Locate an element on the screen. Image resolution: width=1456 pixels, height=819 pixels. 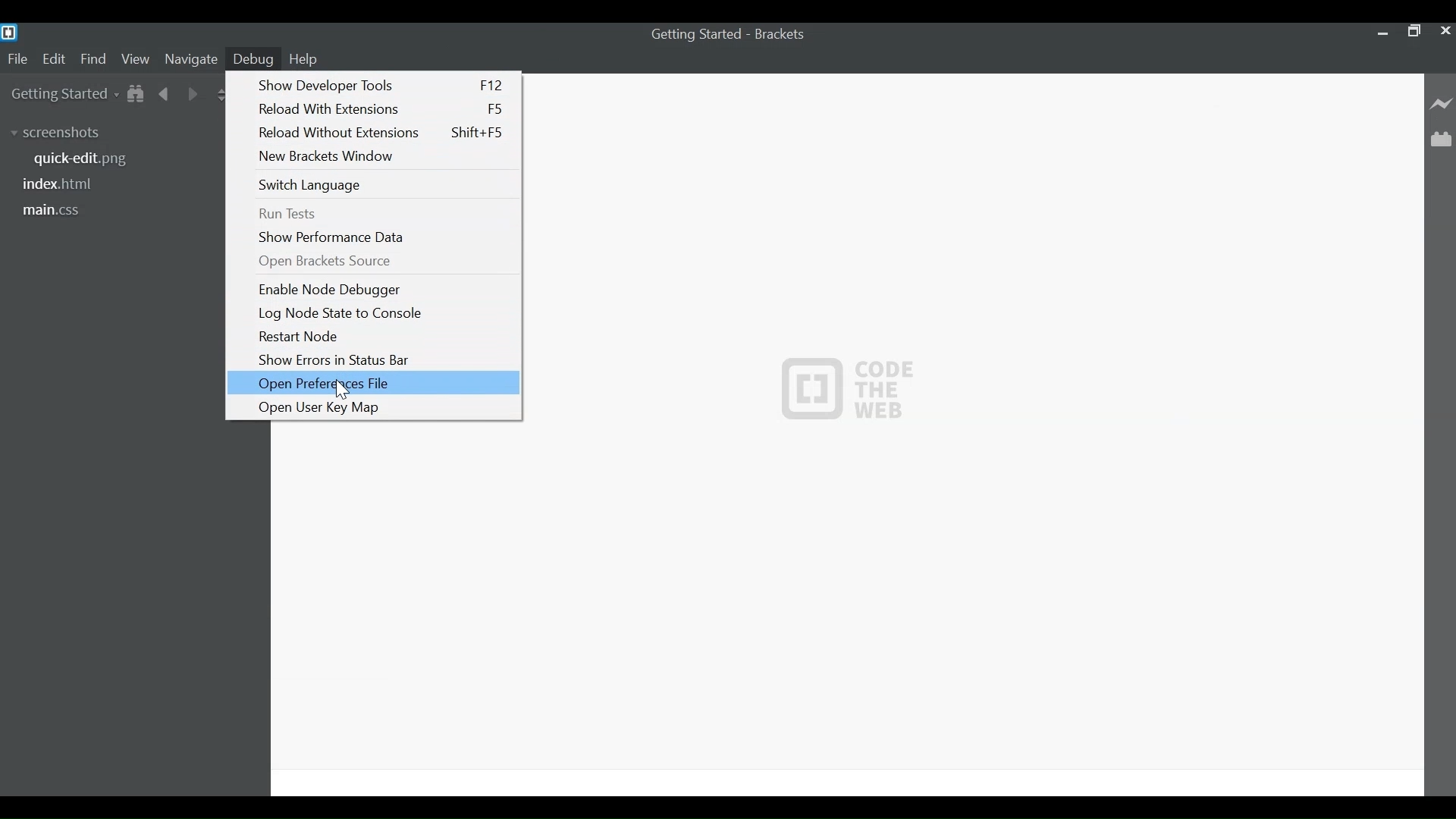
View is located at coordinates (136, 58).